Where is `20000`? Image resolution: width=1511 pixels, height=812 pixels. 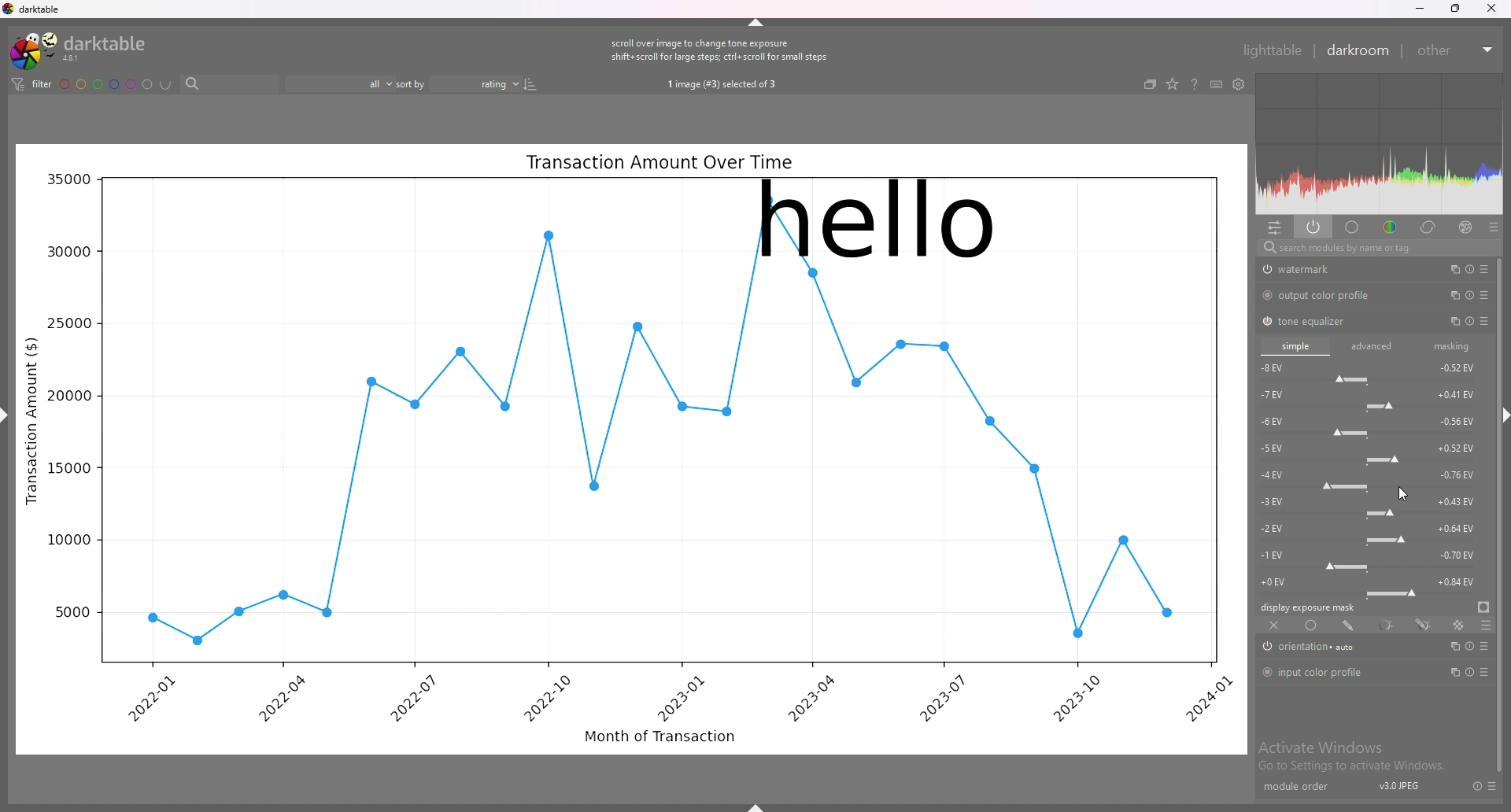
20000 is located at coordinates (68, 396).